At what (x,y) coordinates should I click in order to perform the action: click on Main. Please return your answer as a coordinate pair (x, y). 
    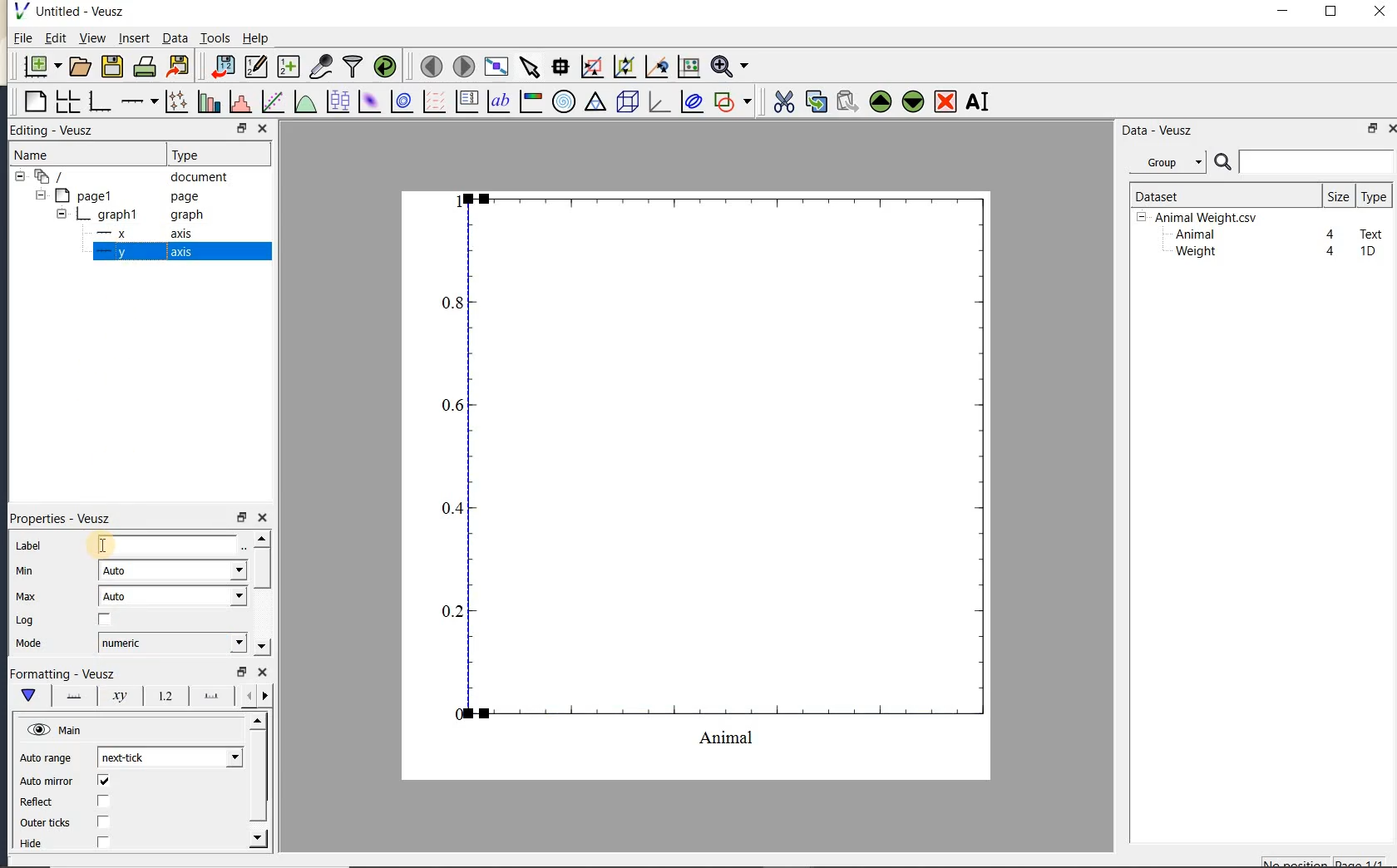
    Looking at the image, I should click on (57, 731).